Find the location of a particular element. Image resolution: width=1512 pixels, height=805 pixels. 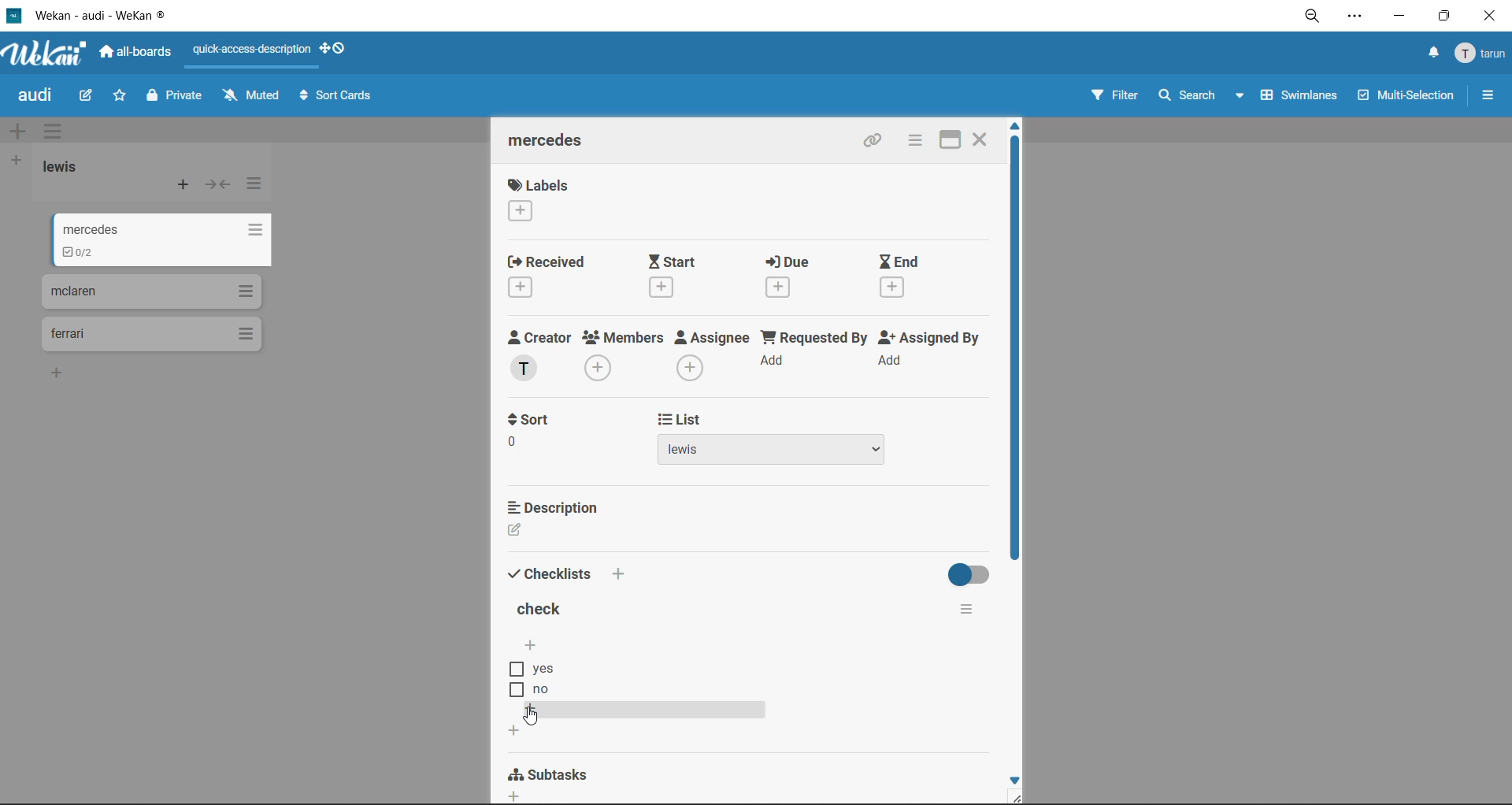

Checbox is located at coordinates (514, 670).